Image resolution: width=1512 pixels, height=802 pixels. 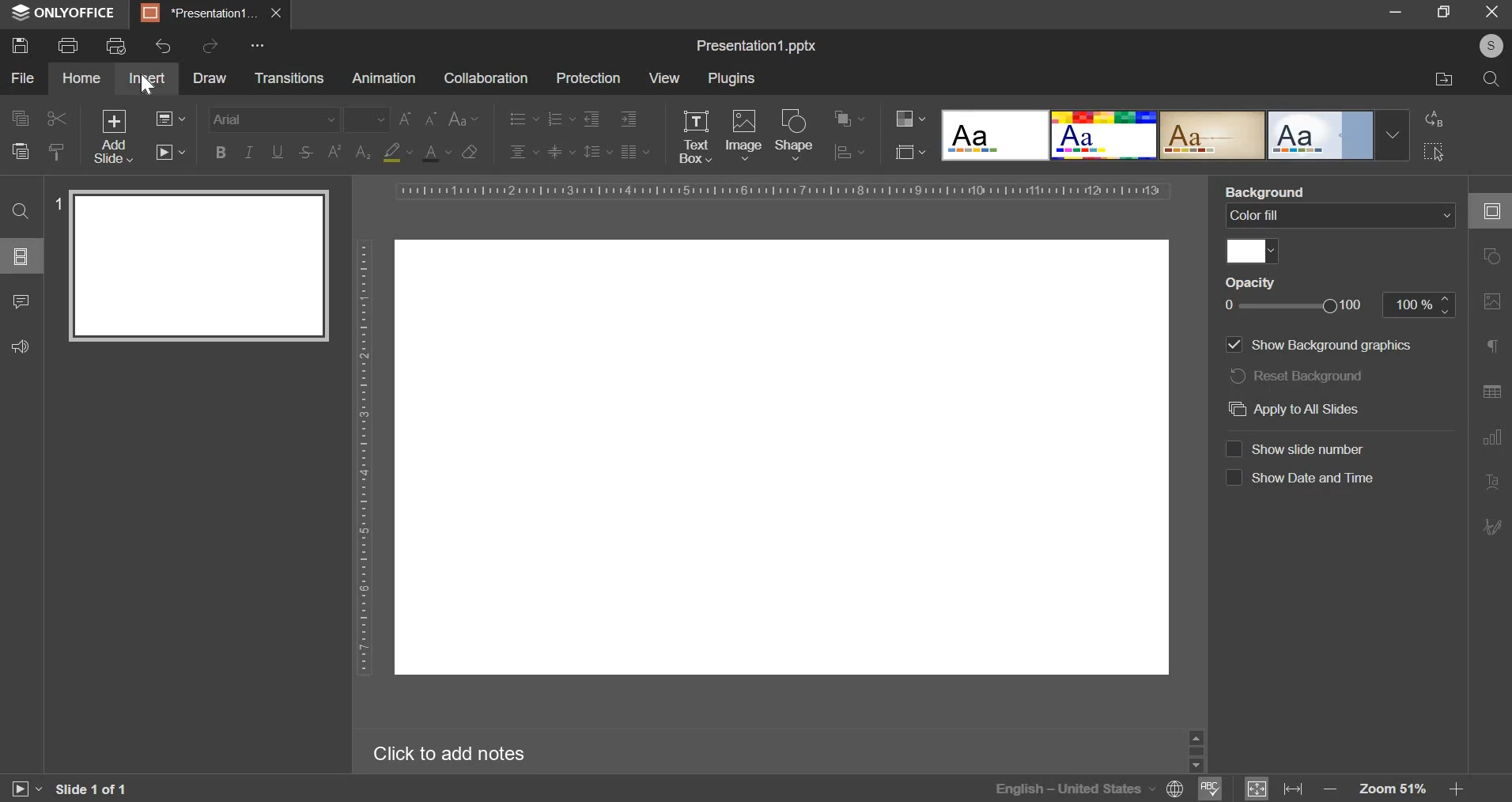 I want to click on spell check, so click(x=1211, y=789).